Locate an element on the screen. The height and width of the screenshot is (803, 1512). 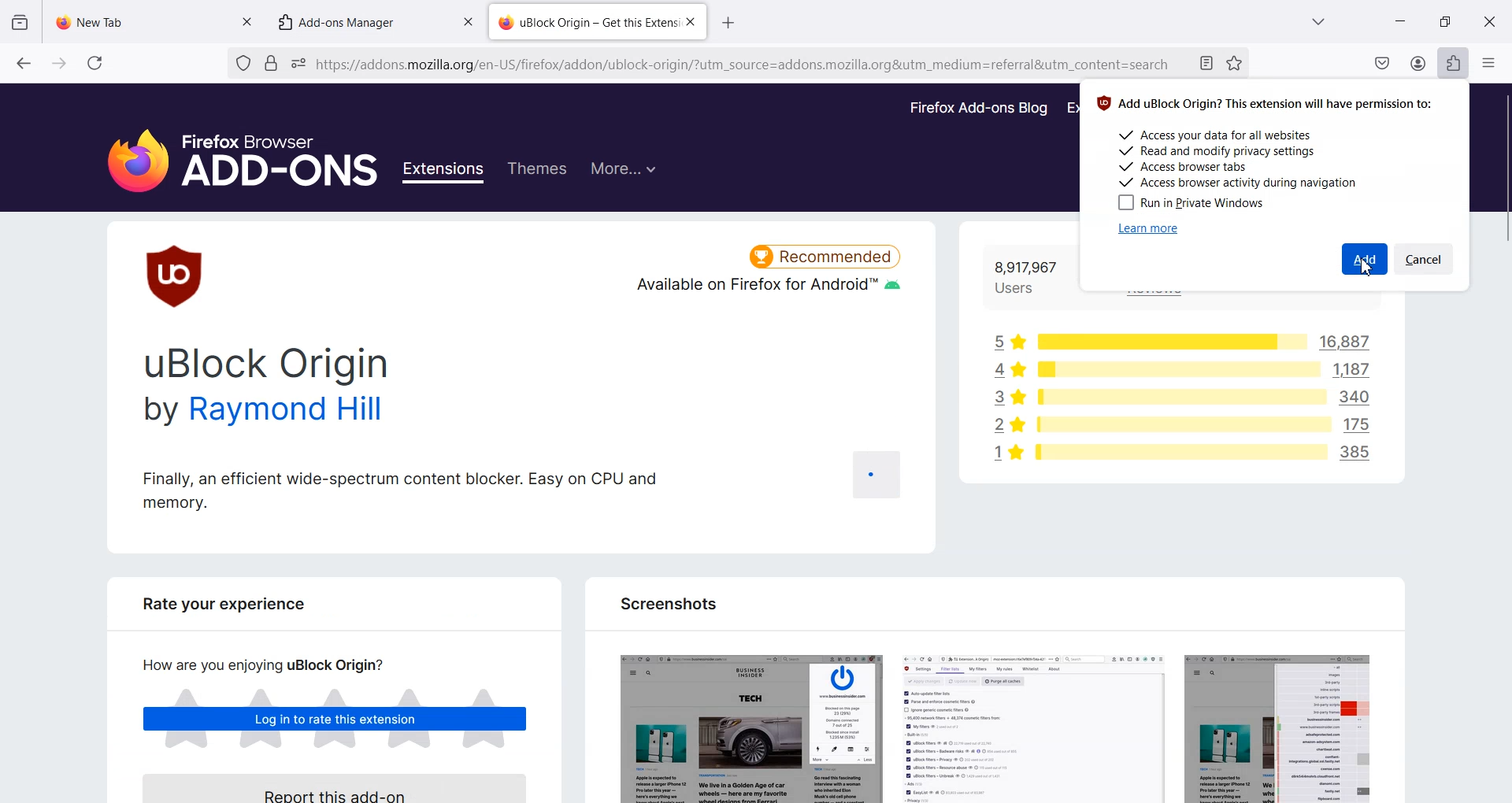
Rate your experience is located at coordinates (216, 609).